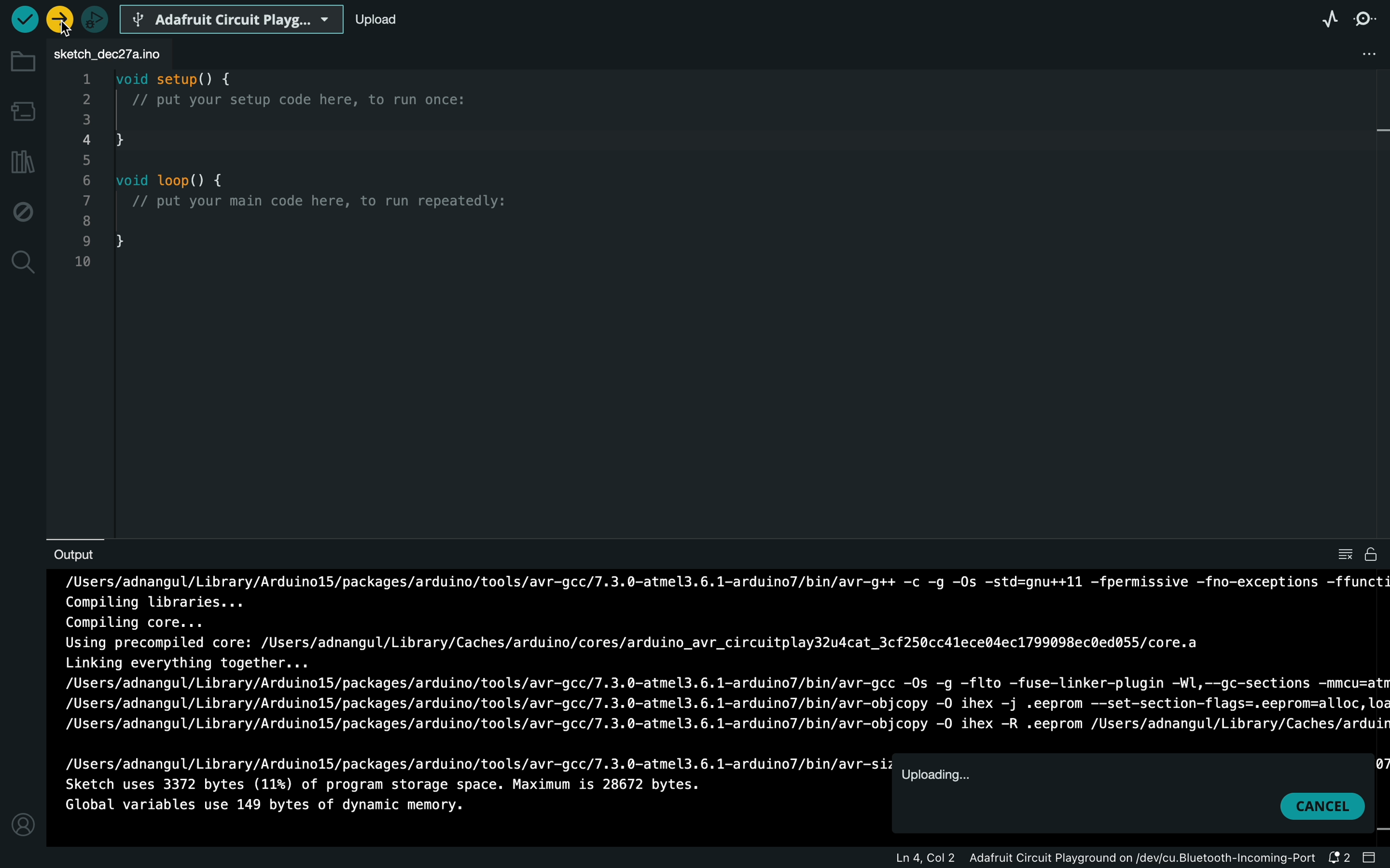  I want to click on library manager, so click(20, 161).